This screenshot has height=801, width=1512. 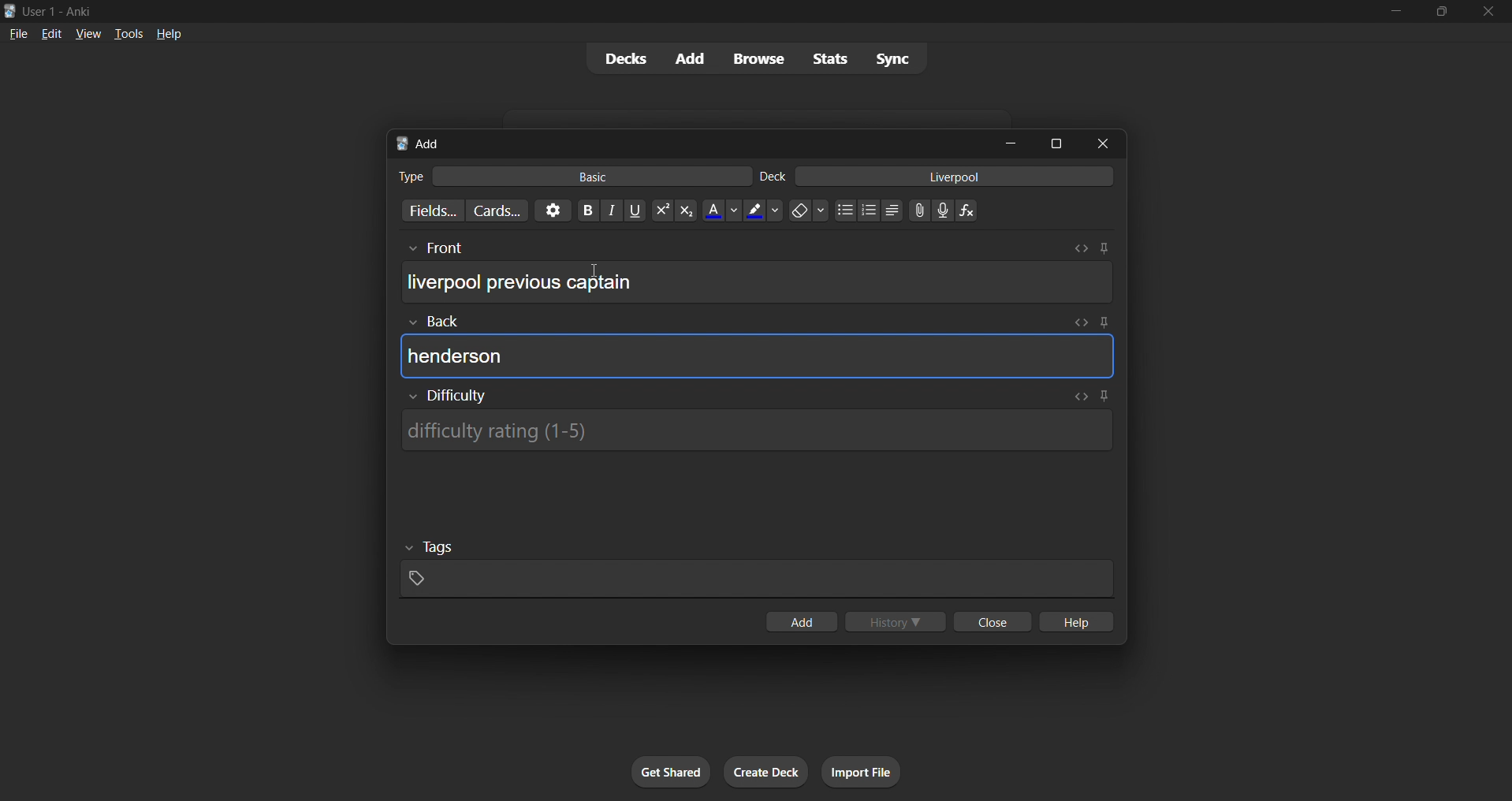 What do you see at coordinates (972, 211) in the screenshot?
I see `function` at bounding box center [972, 211].